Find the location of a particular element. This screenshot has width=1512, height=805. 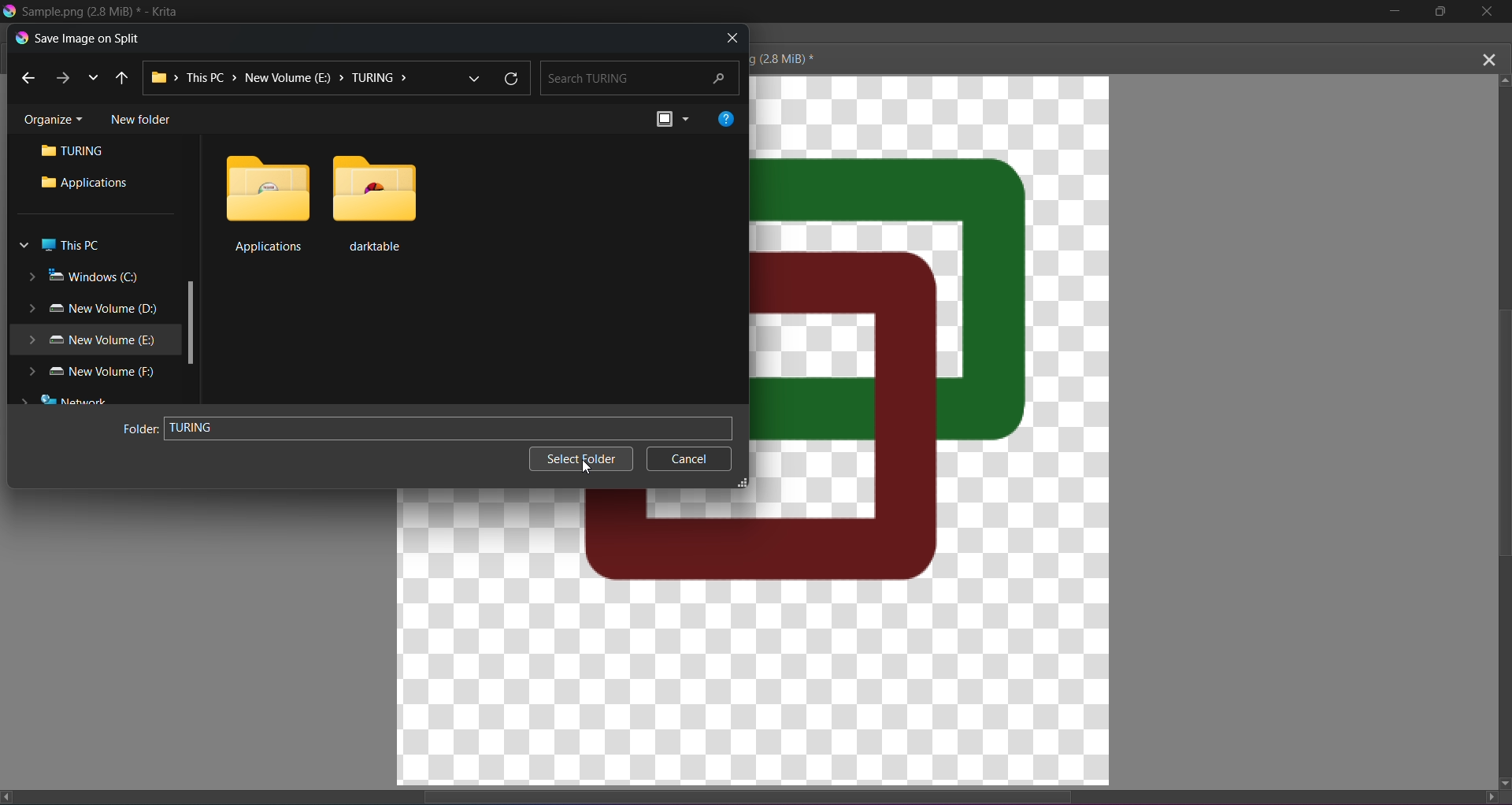

Horizontal scroll bar is located at coordinates (762, 792).